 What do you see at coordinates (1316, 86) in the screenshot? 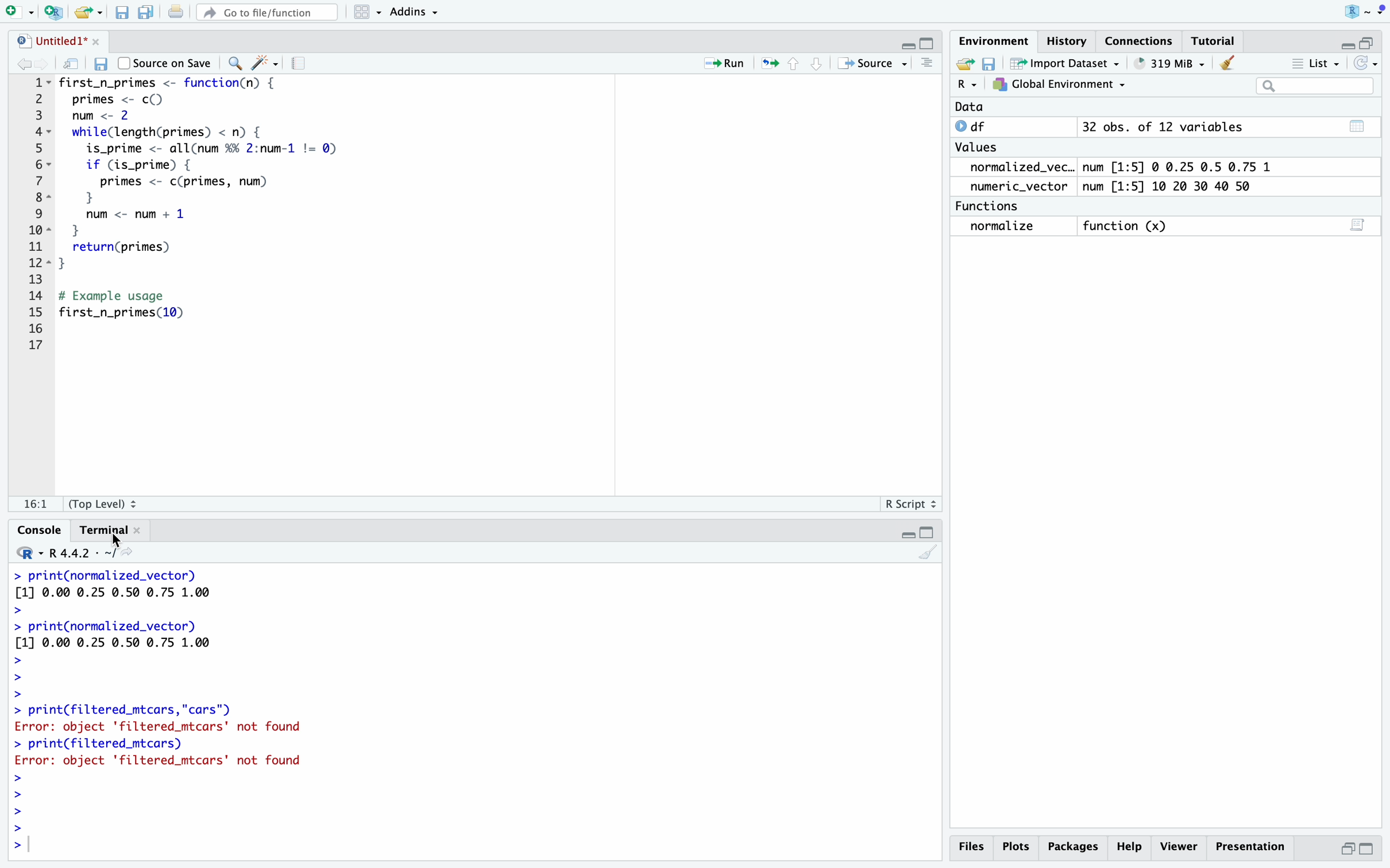
I see `search` at bounding box center [1316, 86].